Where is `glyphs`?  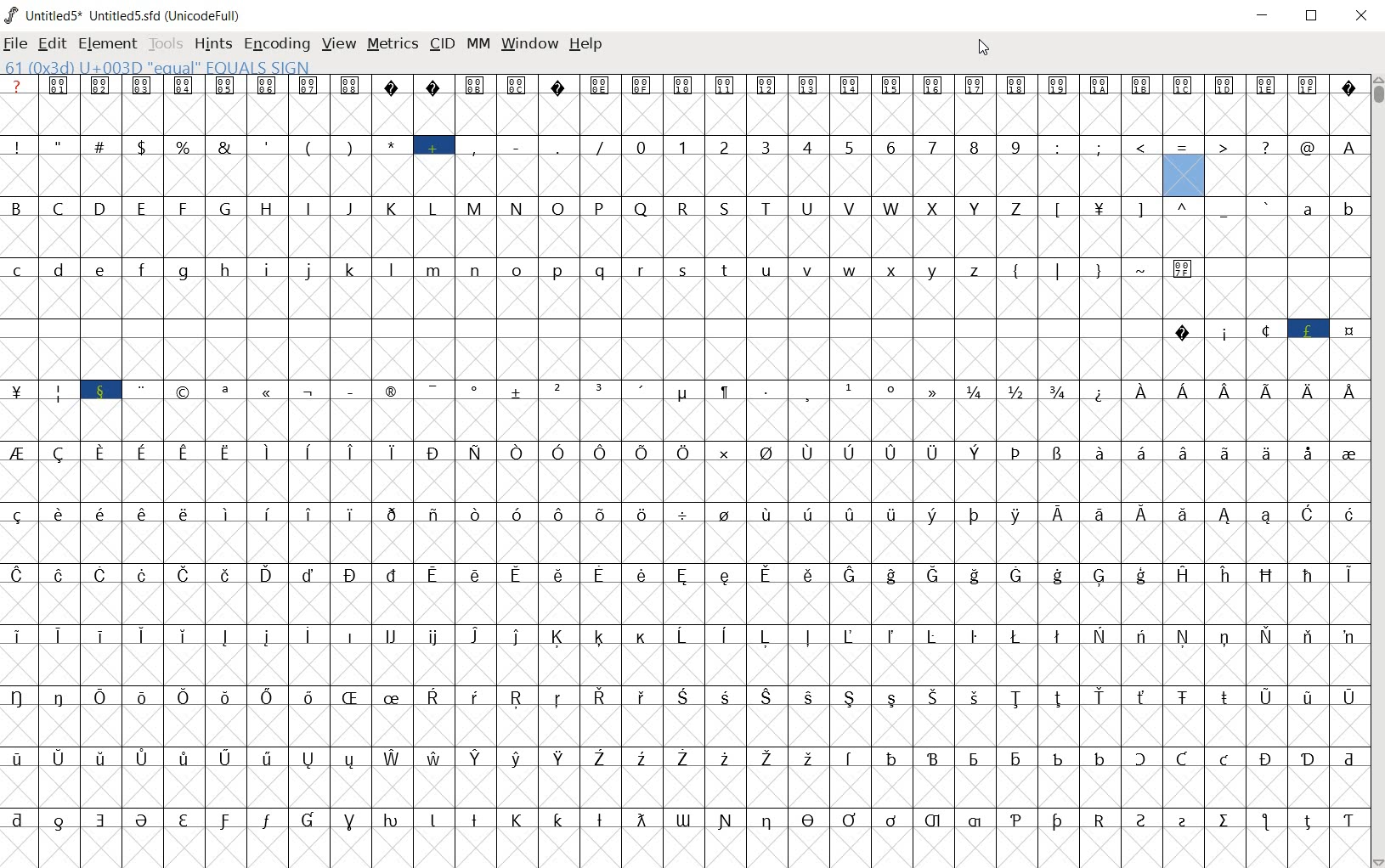
glyphs is located at coordinates (581, 461).